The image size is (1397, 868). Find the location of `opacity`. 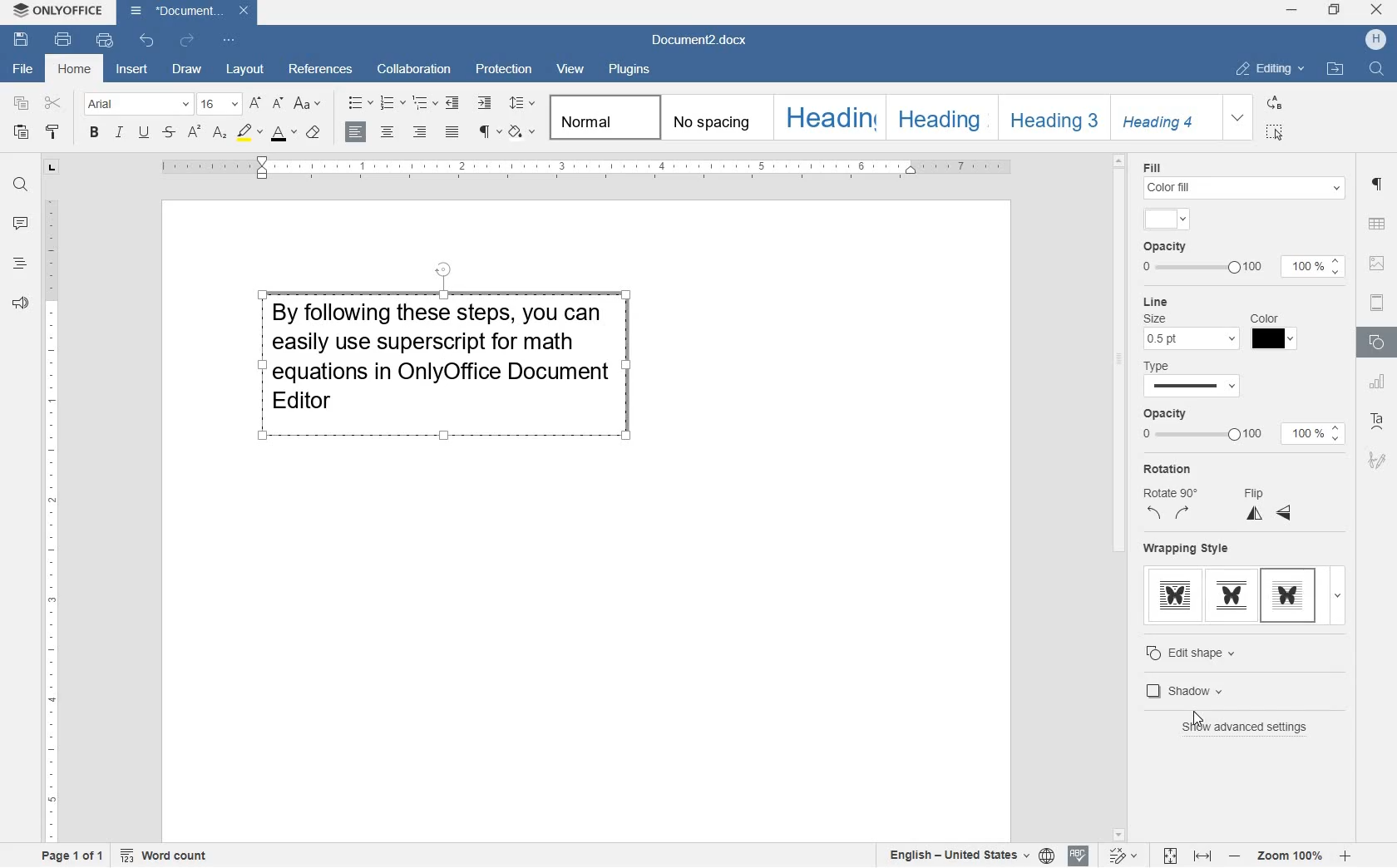

opacity is located at coordinates (1201, 259).